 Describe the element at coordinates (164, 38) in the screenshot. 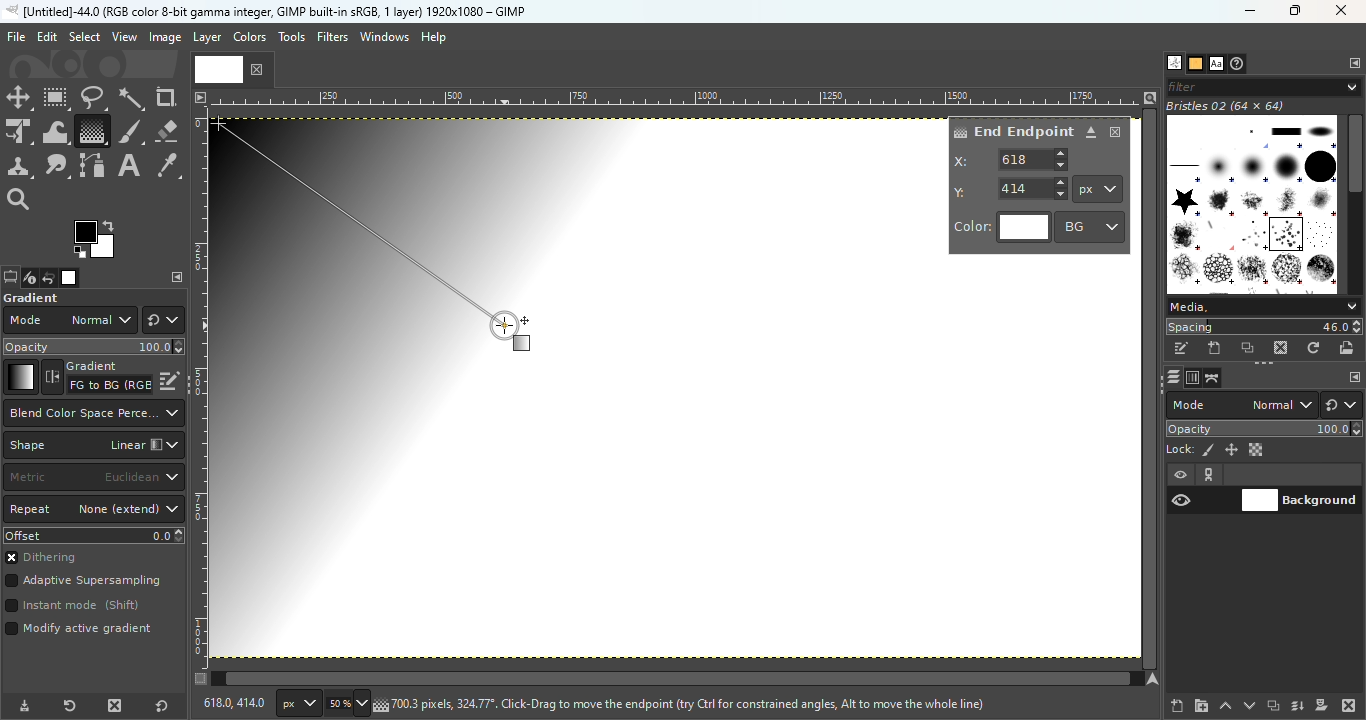

I see `Image` at that location.